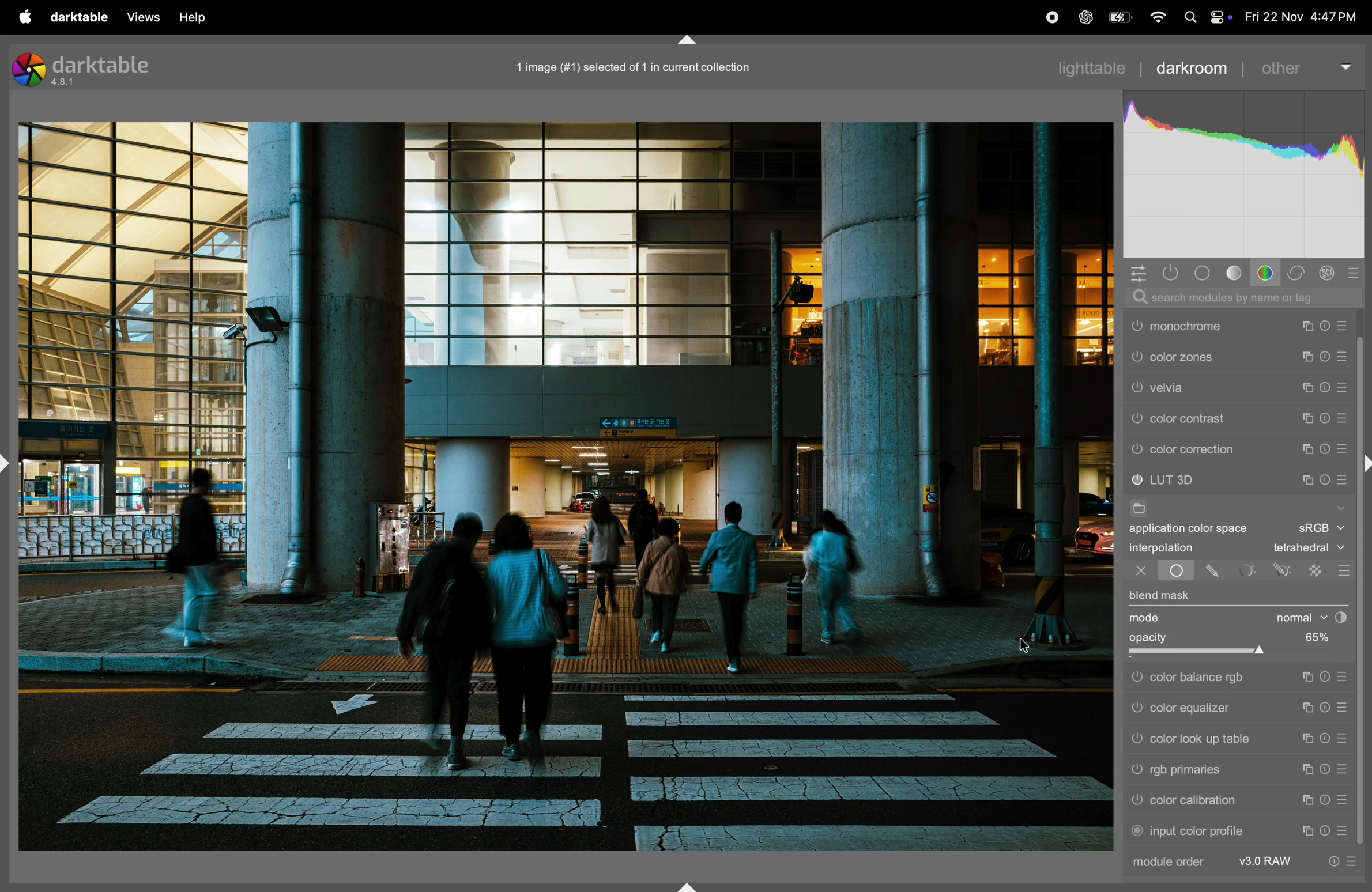  Describe the element at coordinates (1315, 570) in the screenshot. I see `raster mask` at that location.